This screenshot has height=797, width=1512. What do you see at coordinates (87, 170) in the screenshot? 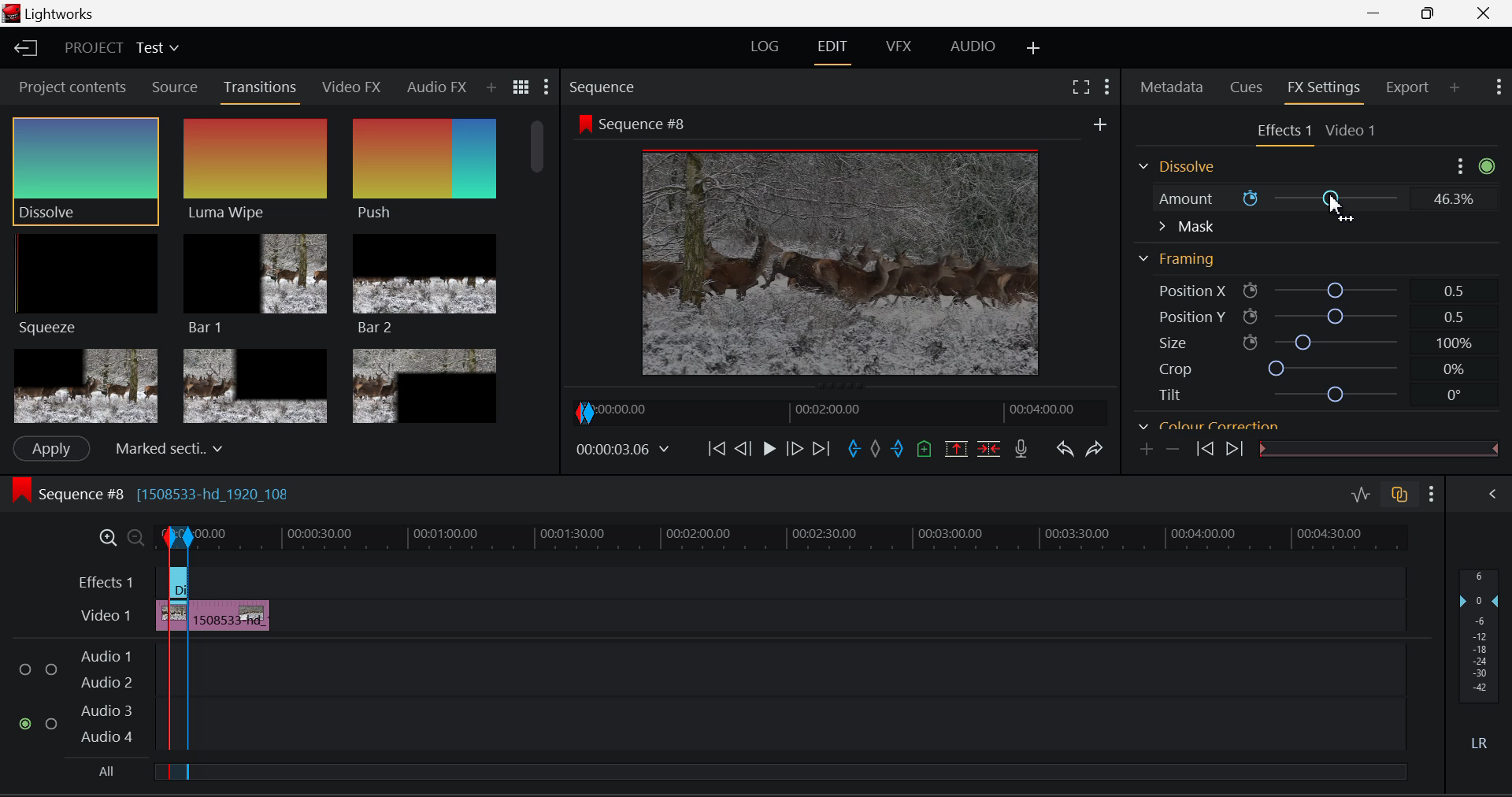
I see `Cursor MOUSE_DOWN on Dissolve` at bounding box center [87, 170].